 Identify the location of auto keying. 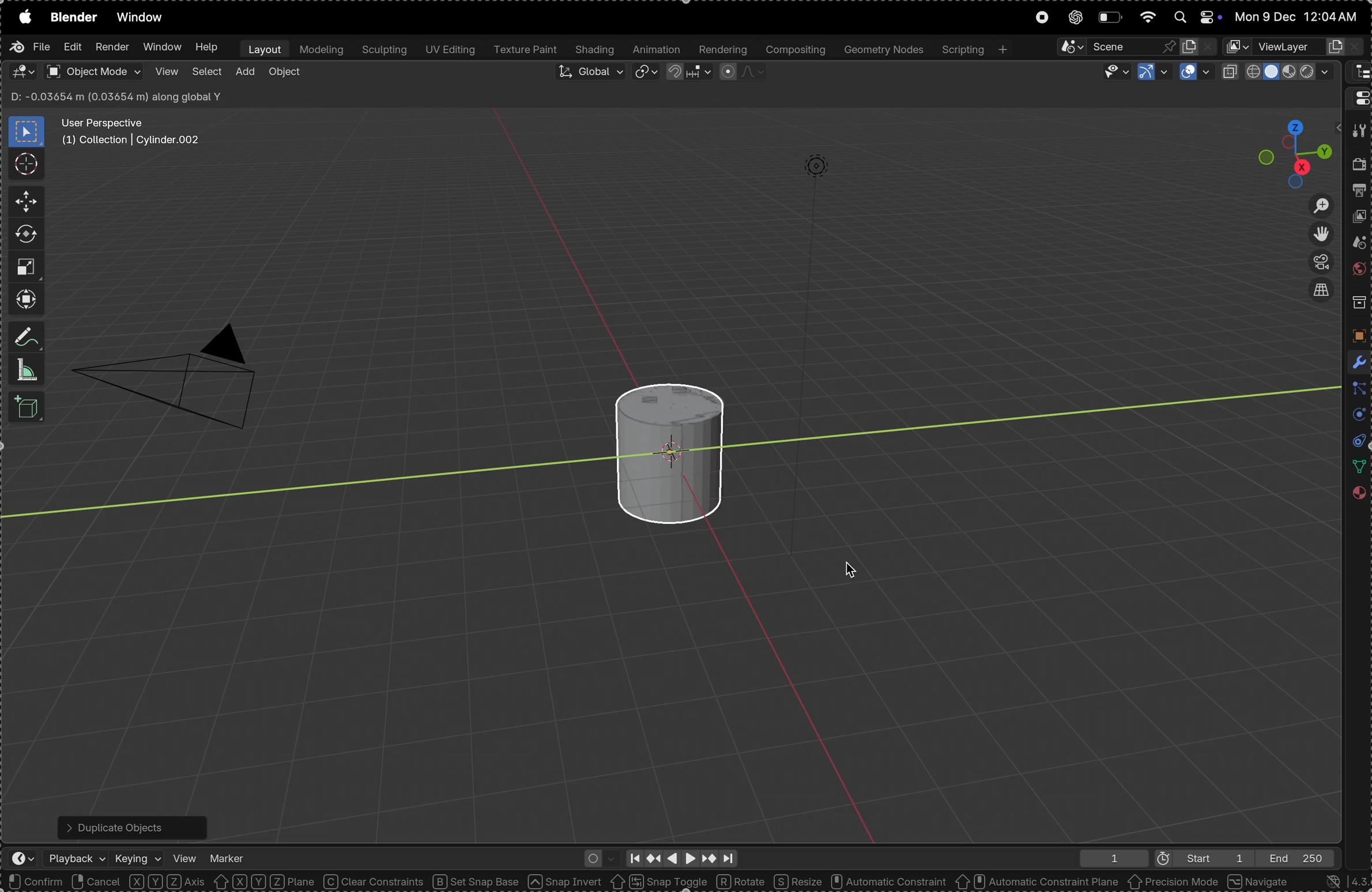
(597, 857).